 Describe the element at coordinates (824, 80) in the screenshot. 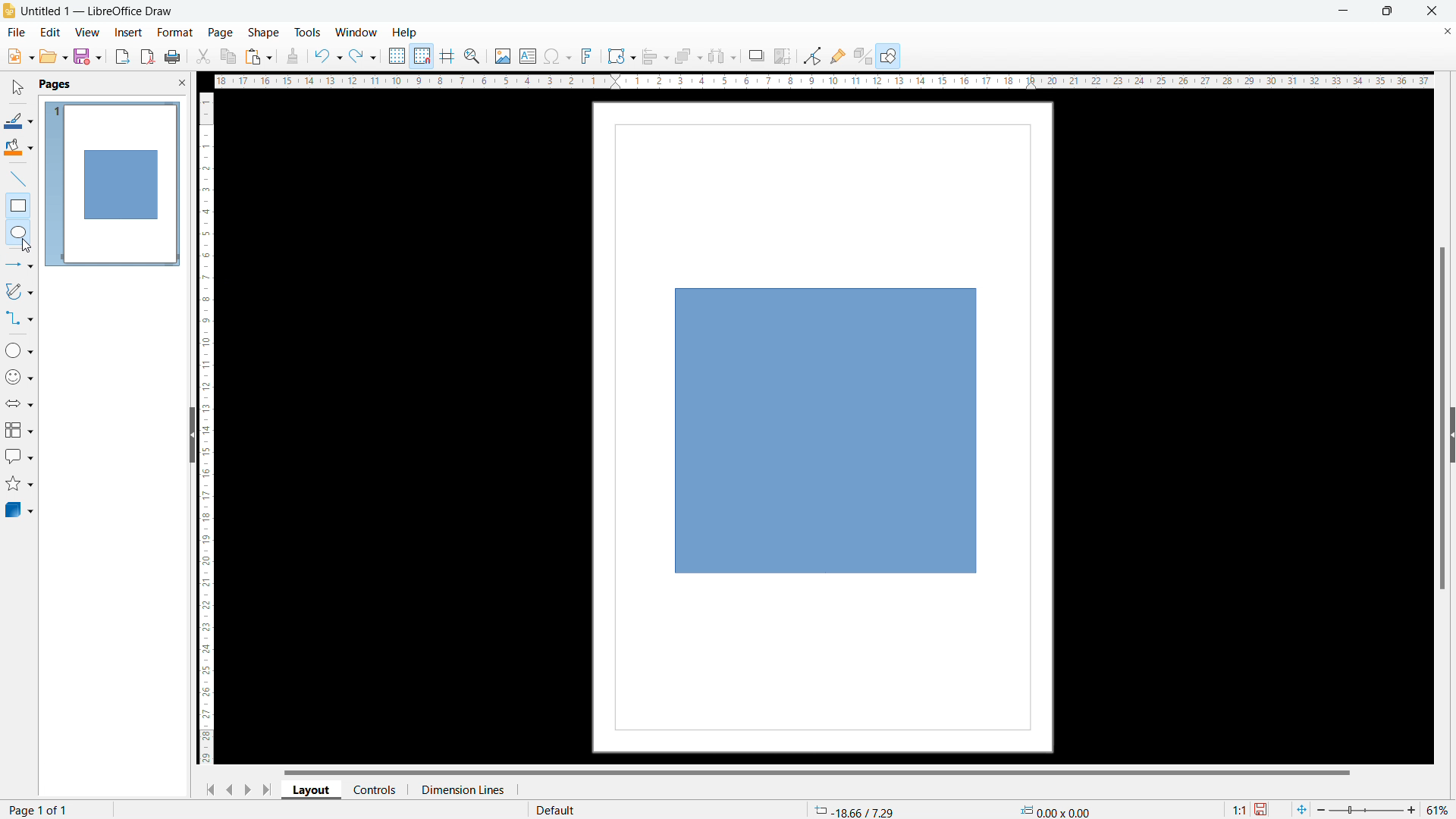

I see `horizontal ruler` at that location.